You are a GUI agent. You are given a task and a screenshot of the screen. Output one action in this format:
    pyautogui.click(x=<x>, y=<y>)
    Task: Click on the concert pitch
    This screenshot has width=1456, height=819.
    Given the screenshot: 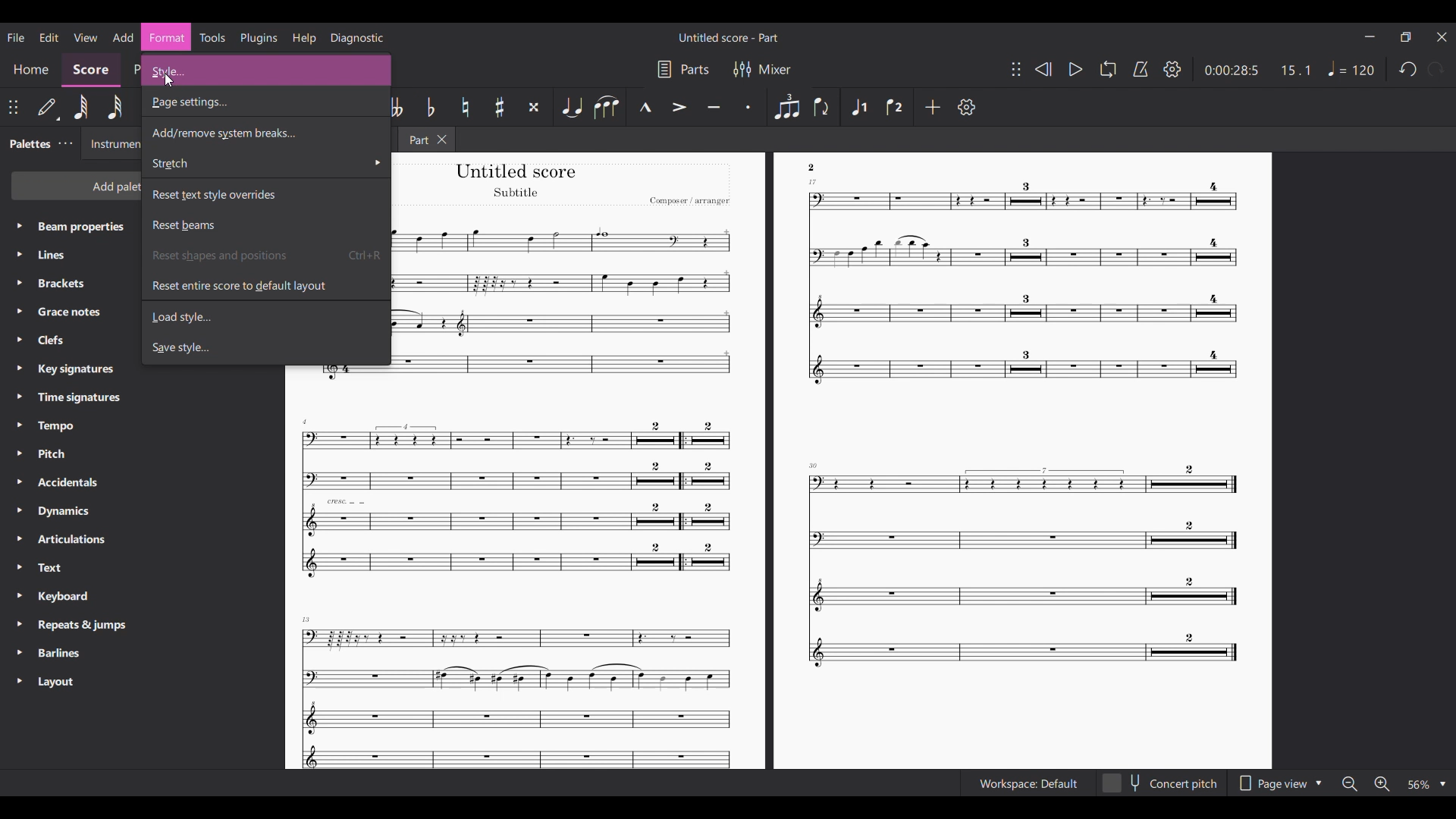 What is the action you would take?
    pyautogui.click(x=1160, y=785)
    